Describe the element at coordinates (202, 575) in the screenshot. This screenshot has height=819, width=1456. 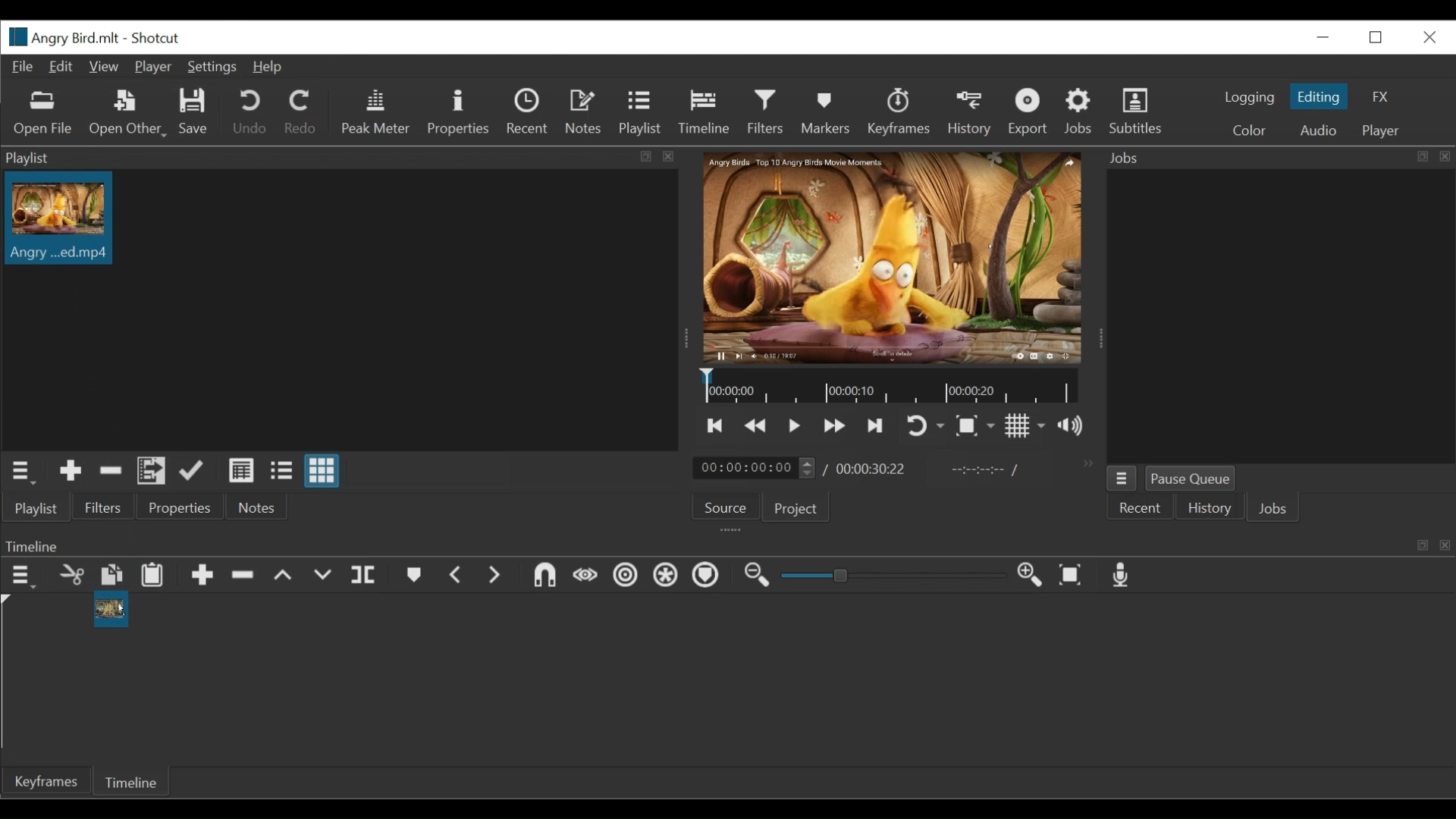
I see `Append` at that location.